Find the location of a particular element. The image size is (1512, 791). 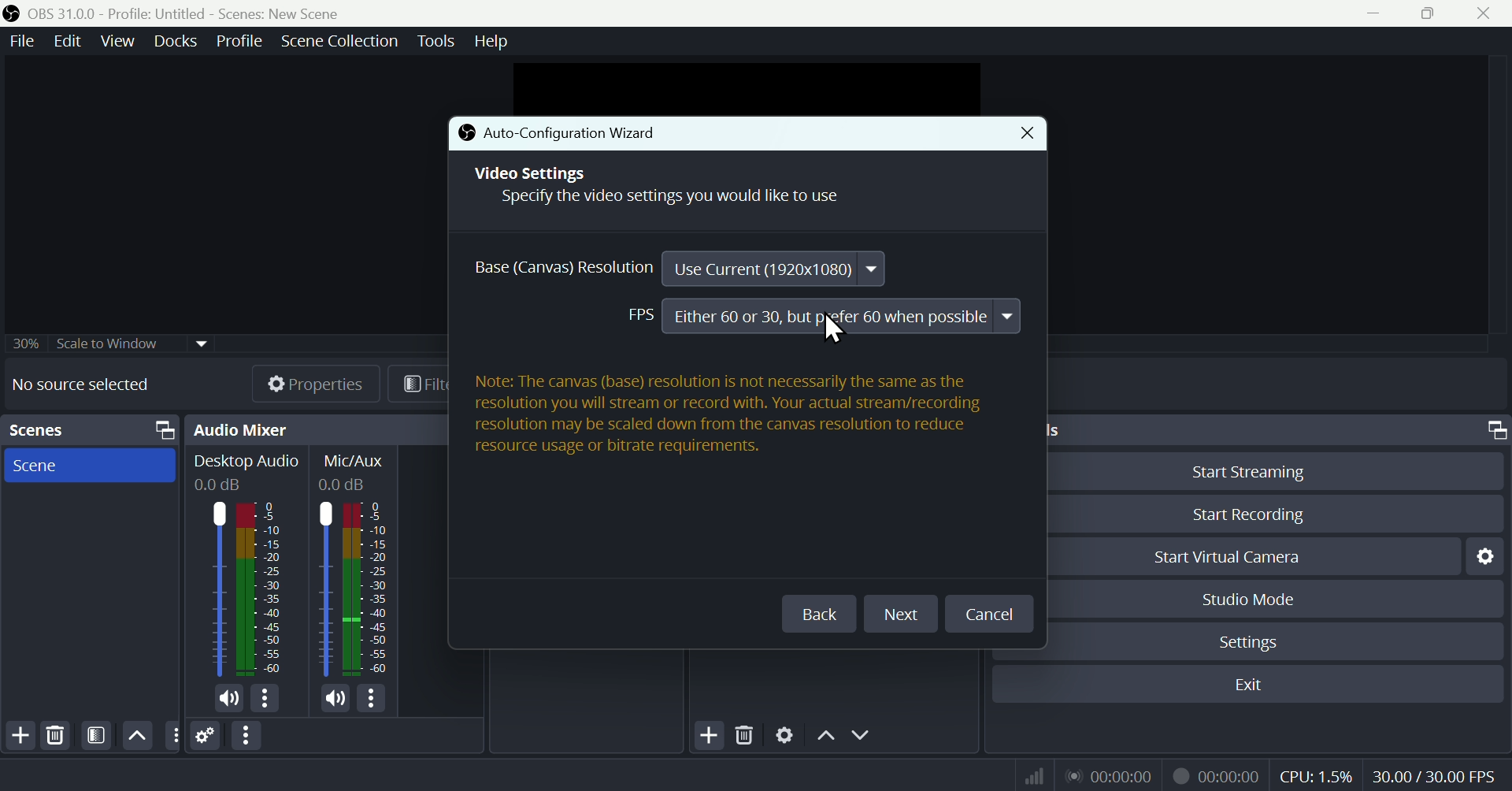

Video Settings
Specify the video settings you would like to use is located at coordinates (667, 189).